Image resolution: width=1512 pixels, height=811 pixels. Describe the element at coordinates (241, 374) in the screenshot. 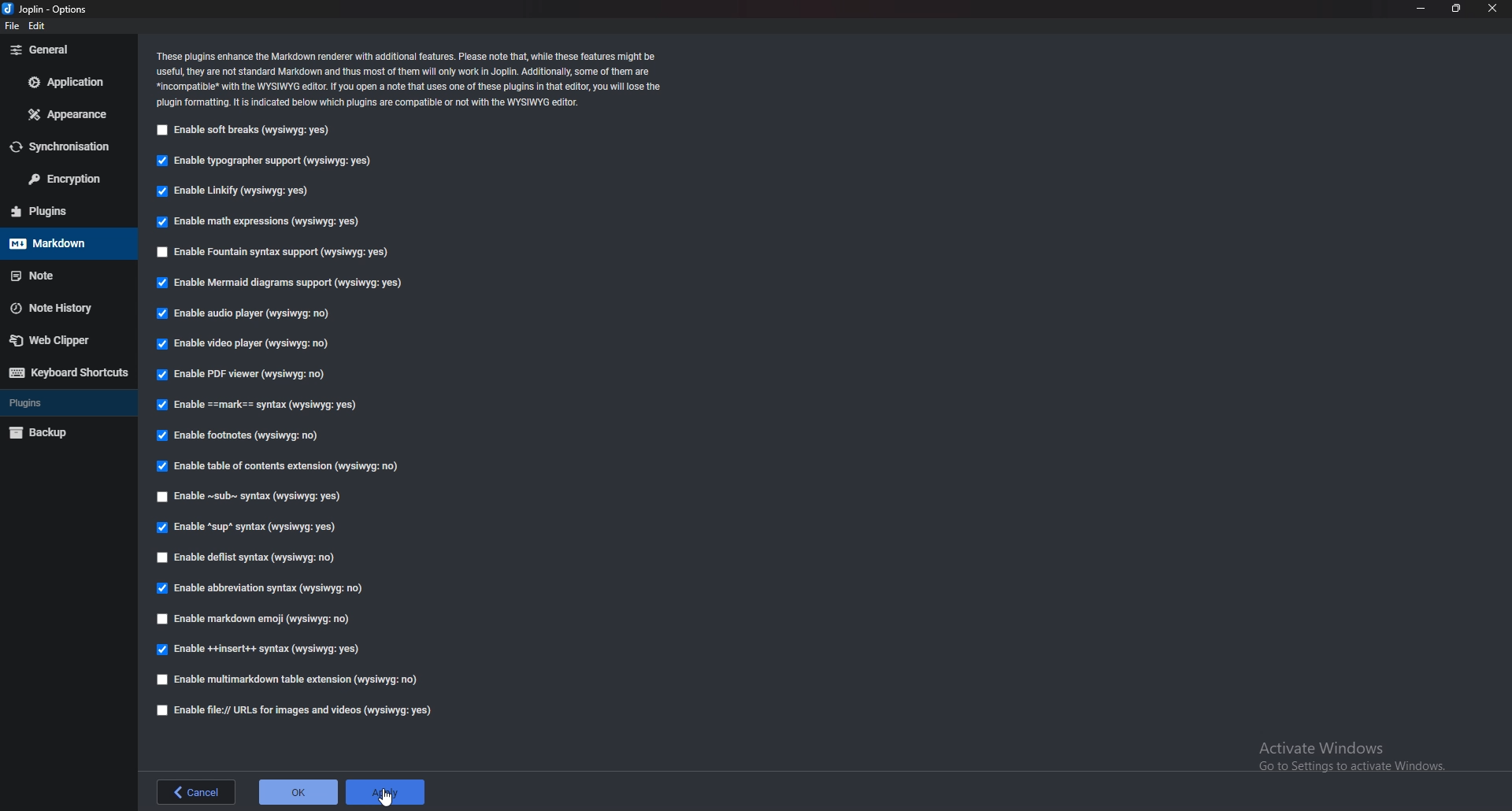

I see ` Enable pdf viewer` at that location.